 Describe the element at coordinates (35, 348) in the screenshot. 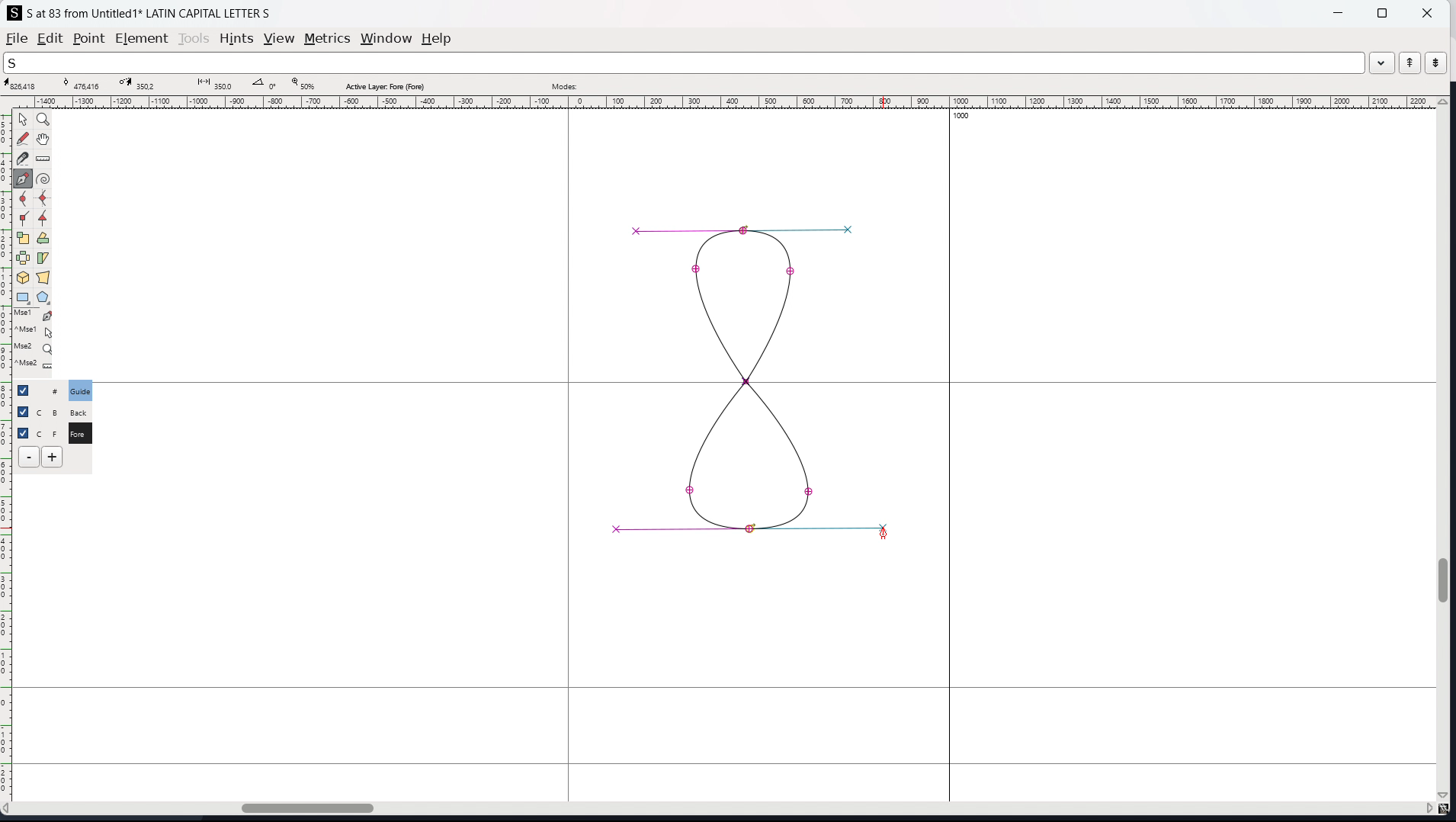

I see `Mse2` at that location.